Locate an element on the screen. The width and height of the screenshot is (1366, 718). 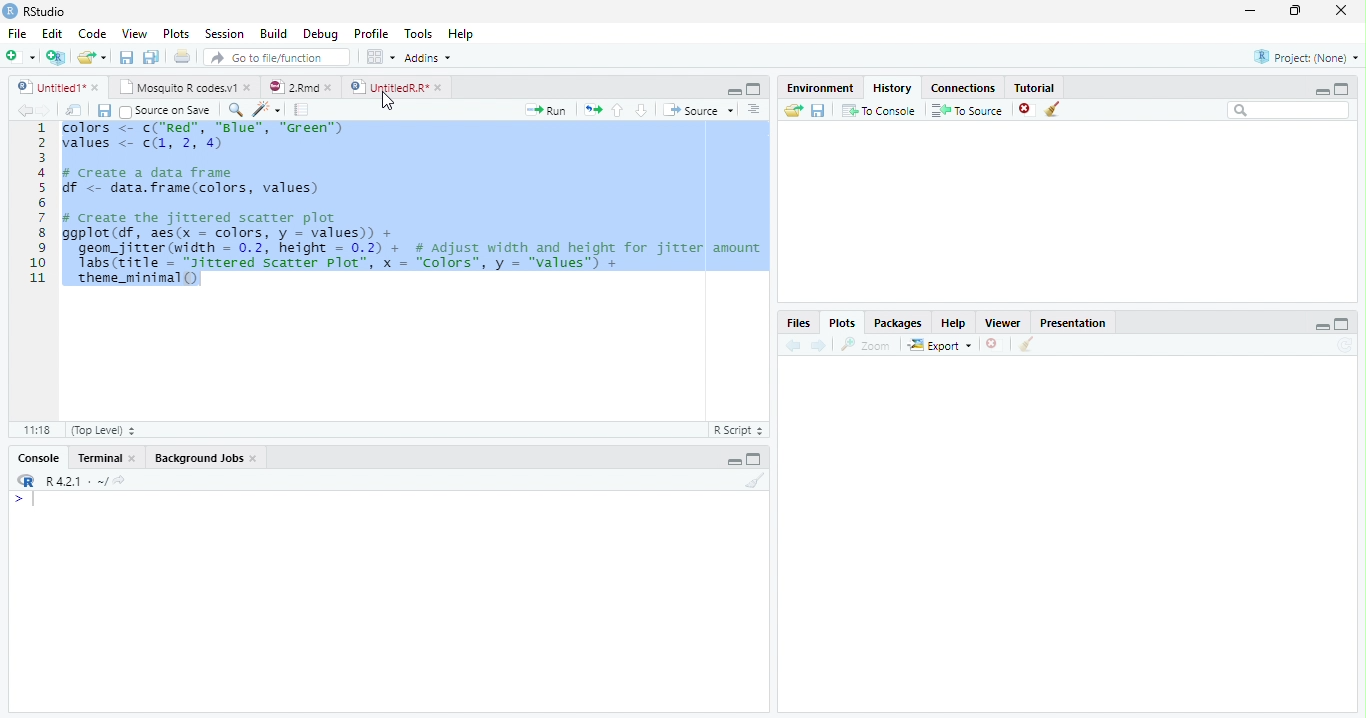
R 4.2.1 . ~/ is located at coordinates (76, 481).